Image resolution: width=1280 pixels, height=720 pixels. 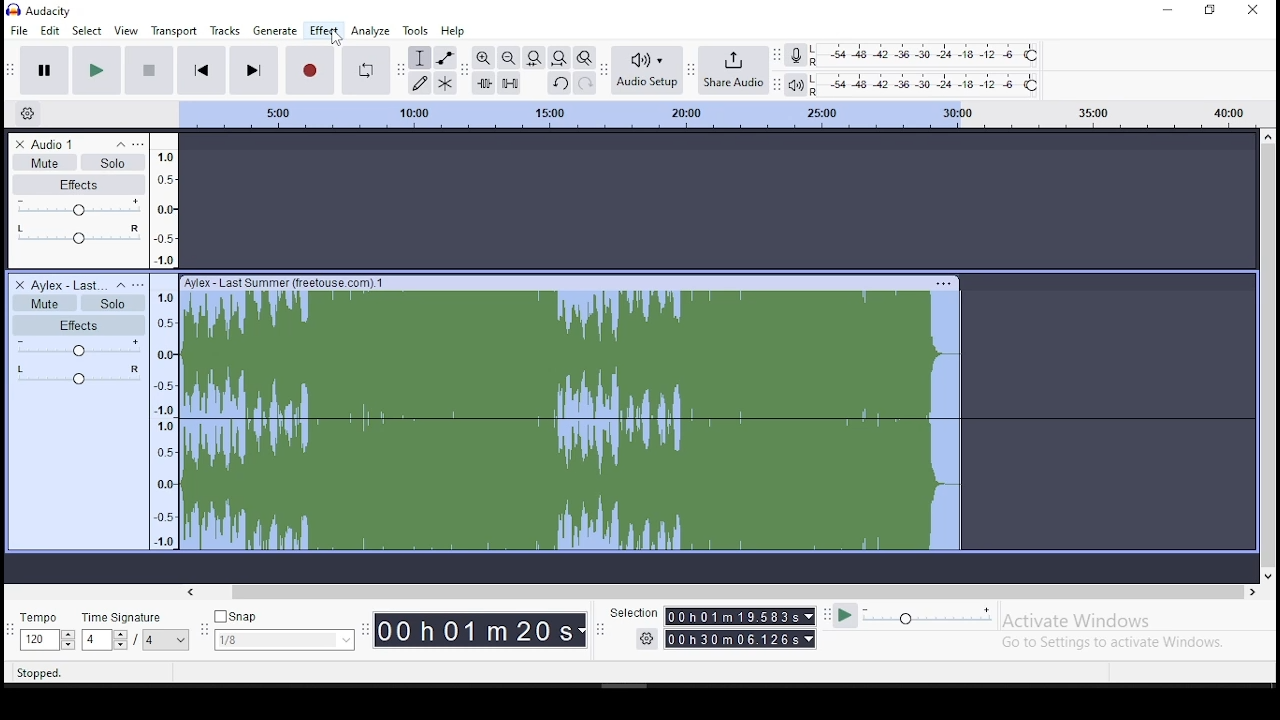 What do you see at coordinates (254, 69) in the screenshot?
I see `skip to end` at bounding box center [254, 69].